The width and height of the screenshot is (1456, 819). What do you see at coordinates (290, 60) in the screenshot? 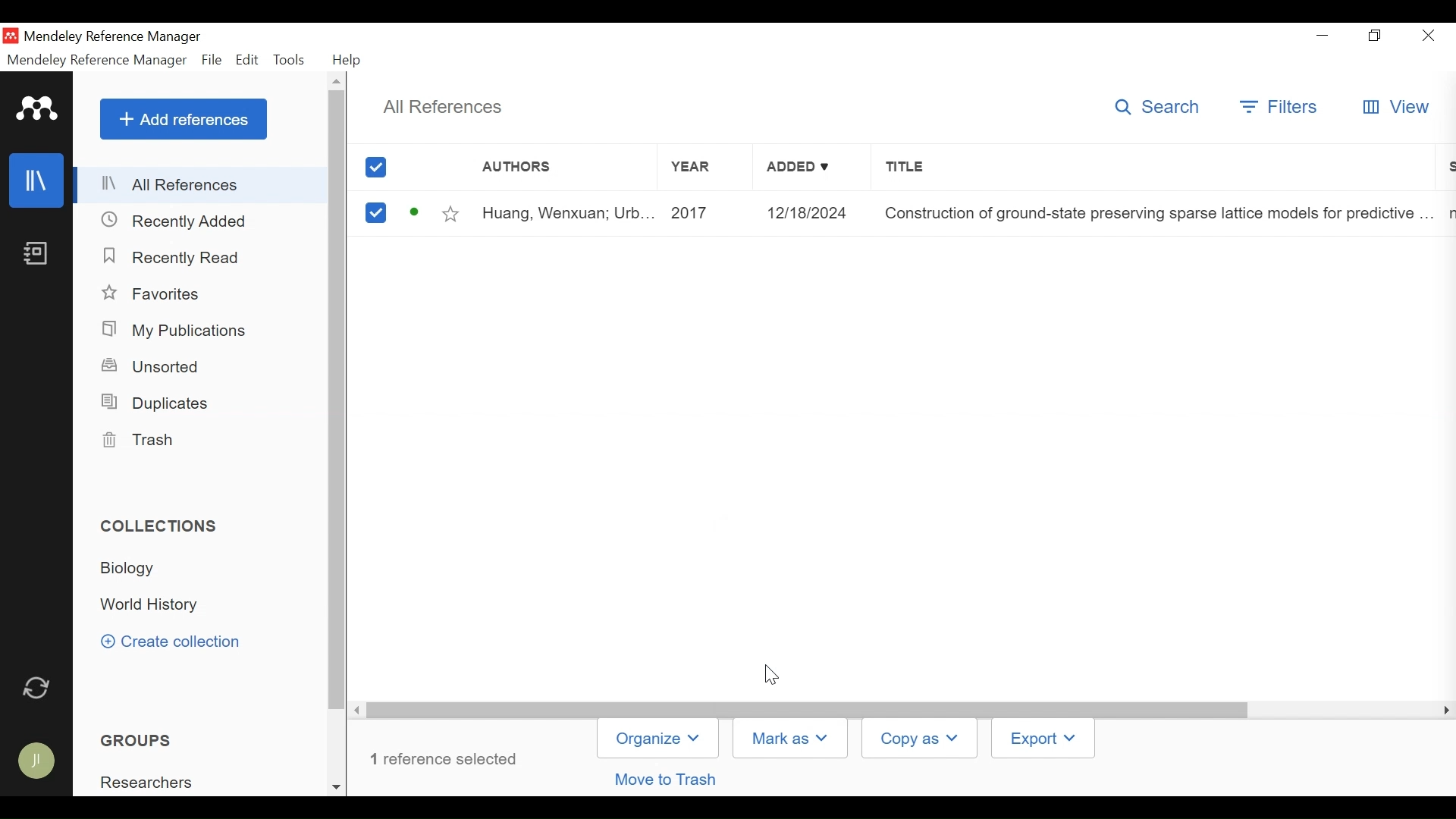
I see `Tools` at bounding box center [290, 60].